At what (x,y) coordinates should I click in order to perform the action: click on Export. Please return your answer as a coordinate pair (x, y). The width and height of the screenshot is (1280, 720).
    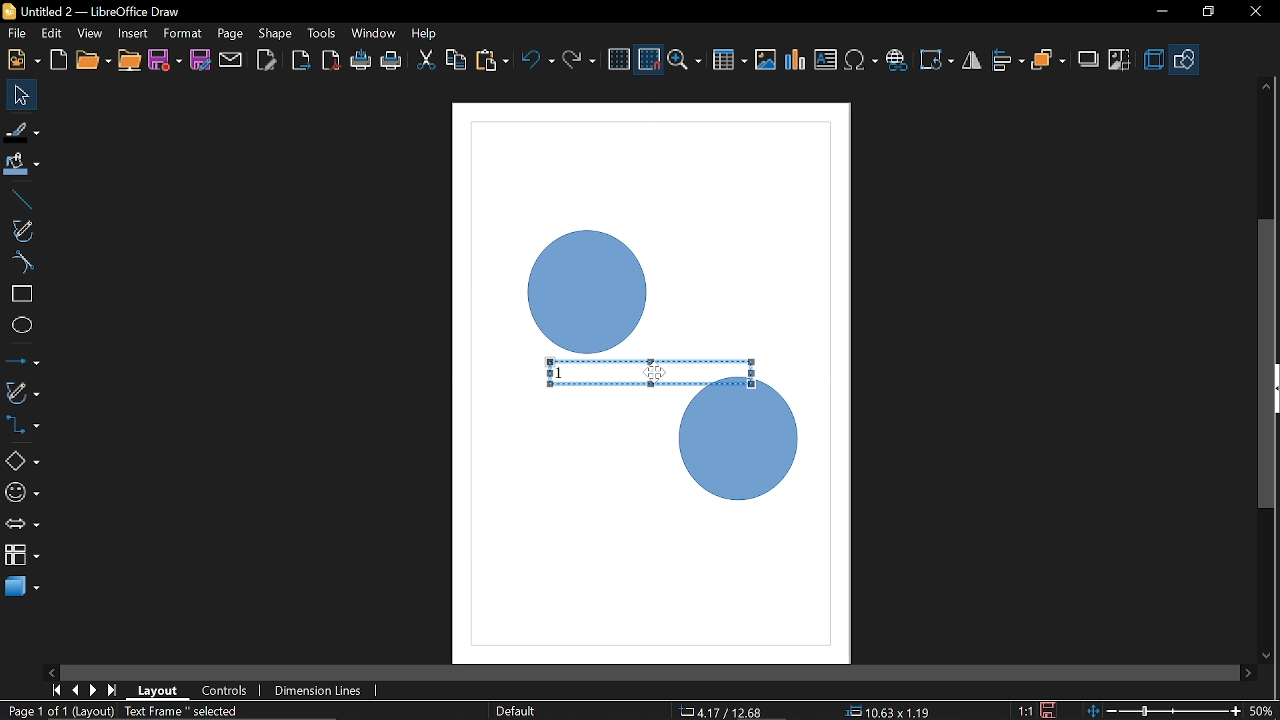
    Looking at the image, I should click on (299, 62).